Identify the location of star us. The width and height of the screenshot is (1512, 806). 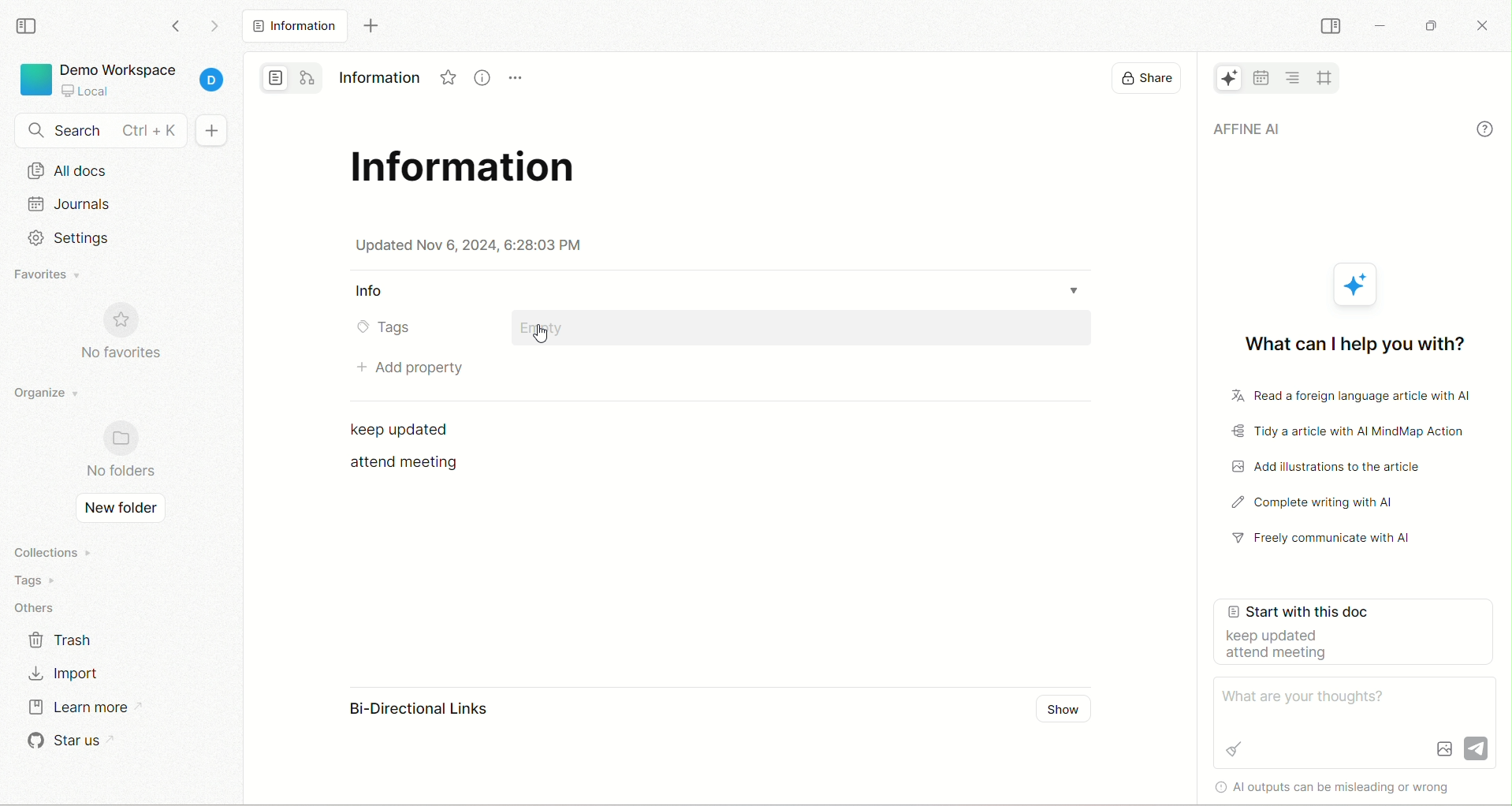
(65, 741).